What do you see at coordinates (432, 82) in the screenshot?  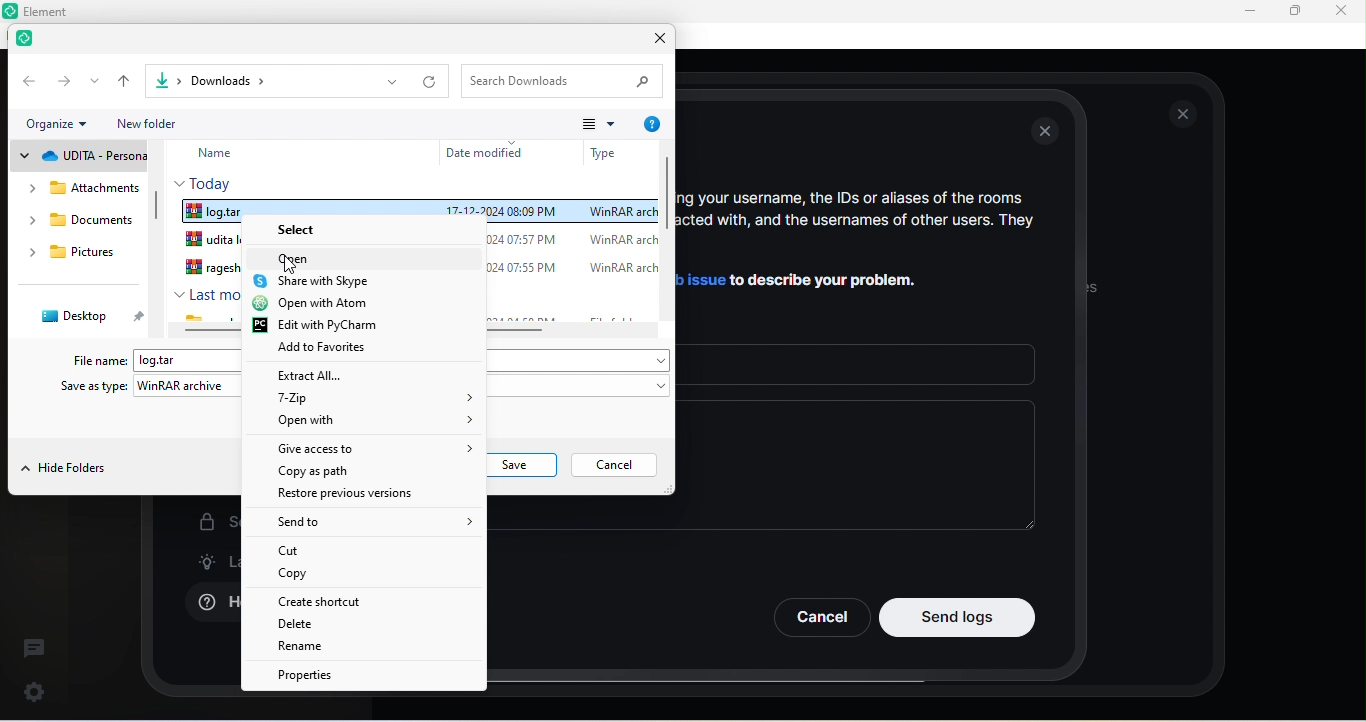 I see `refresh` at bounding box center [432, 82].